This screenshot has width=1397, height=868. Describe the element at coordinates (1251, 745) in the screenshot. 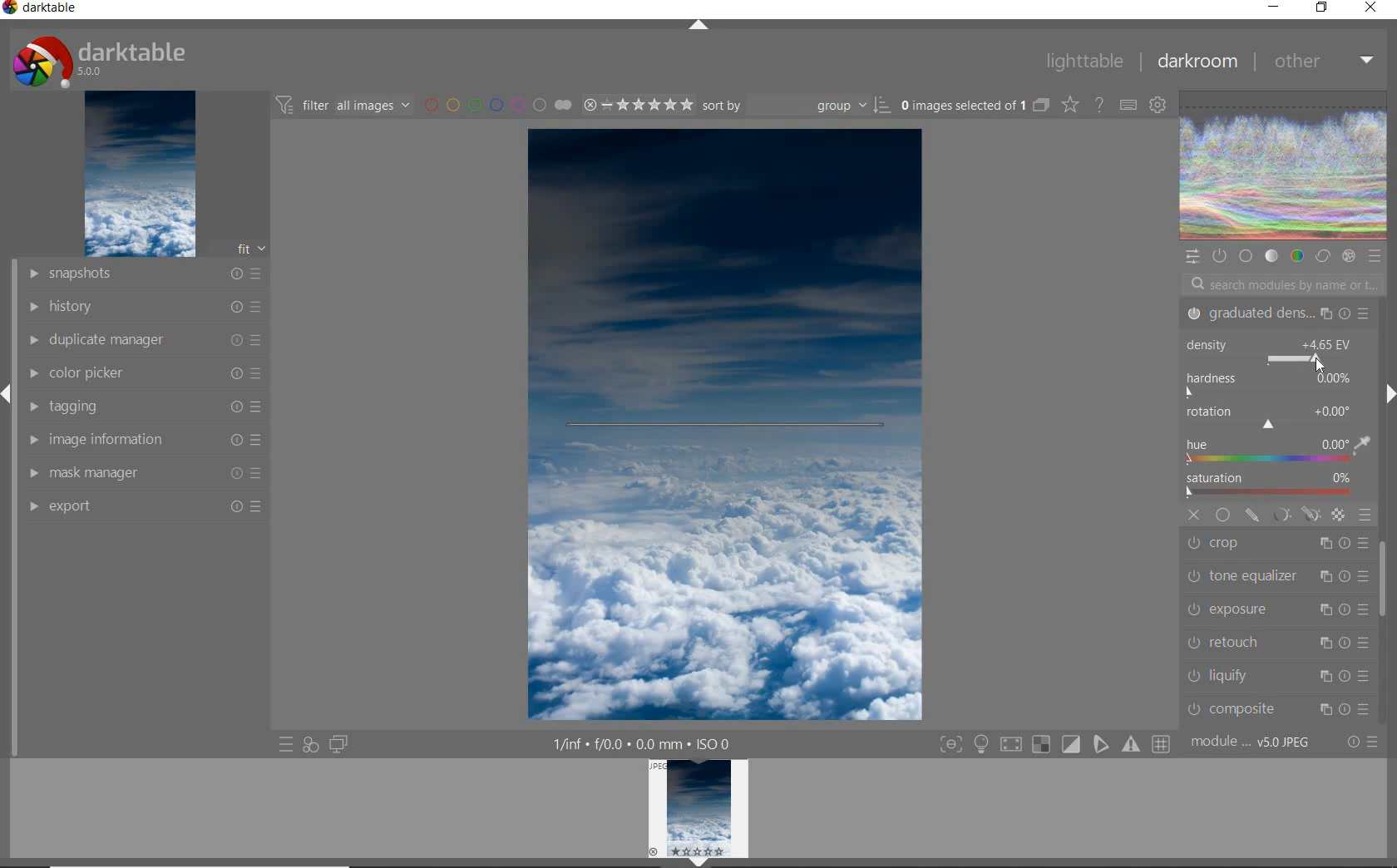

I see `module ... v5.0 JPEG` at that location.